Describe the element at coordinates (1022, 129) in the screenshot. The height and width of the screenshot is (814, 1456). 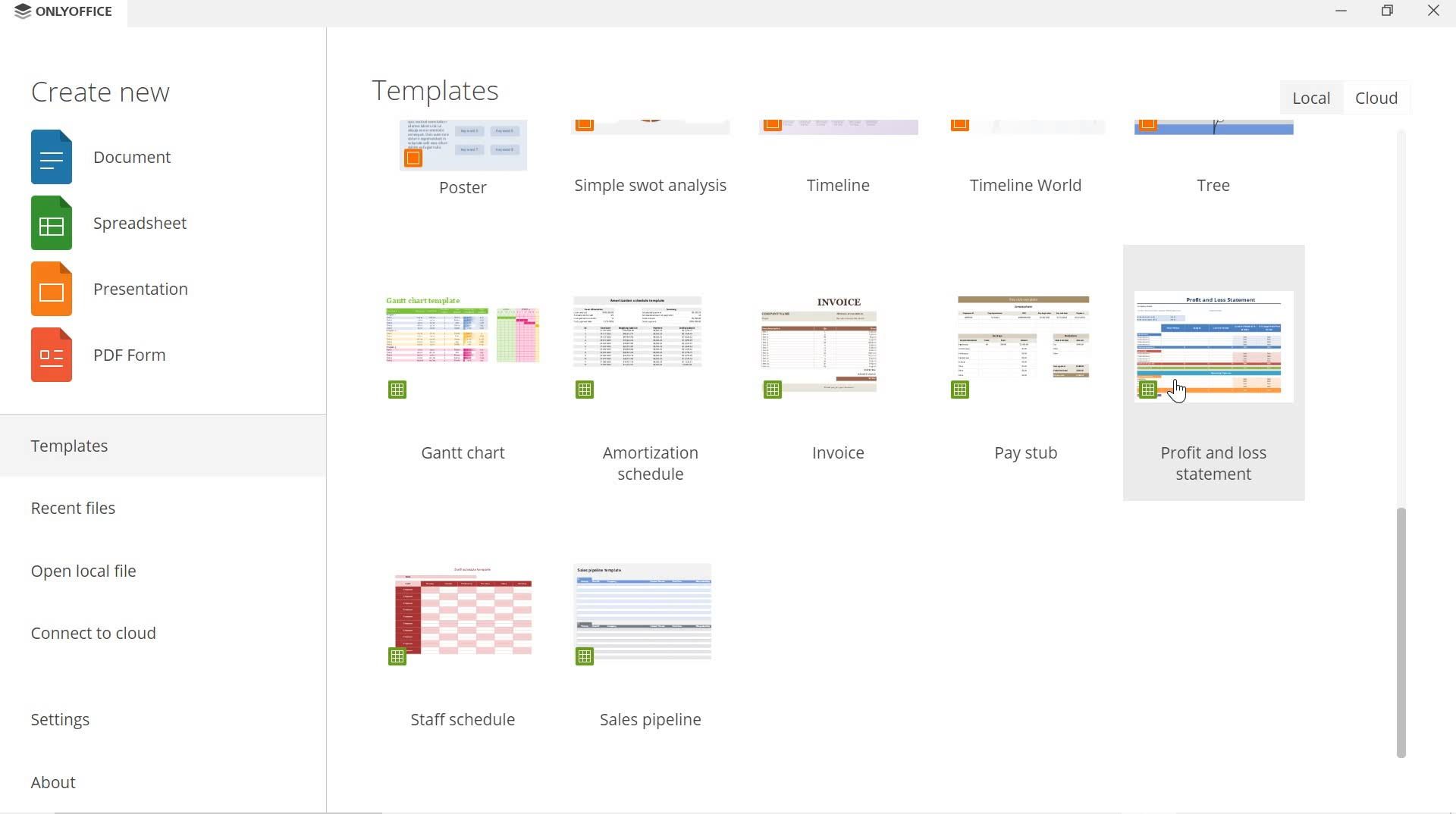
I see `template design` at that location.